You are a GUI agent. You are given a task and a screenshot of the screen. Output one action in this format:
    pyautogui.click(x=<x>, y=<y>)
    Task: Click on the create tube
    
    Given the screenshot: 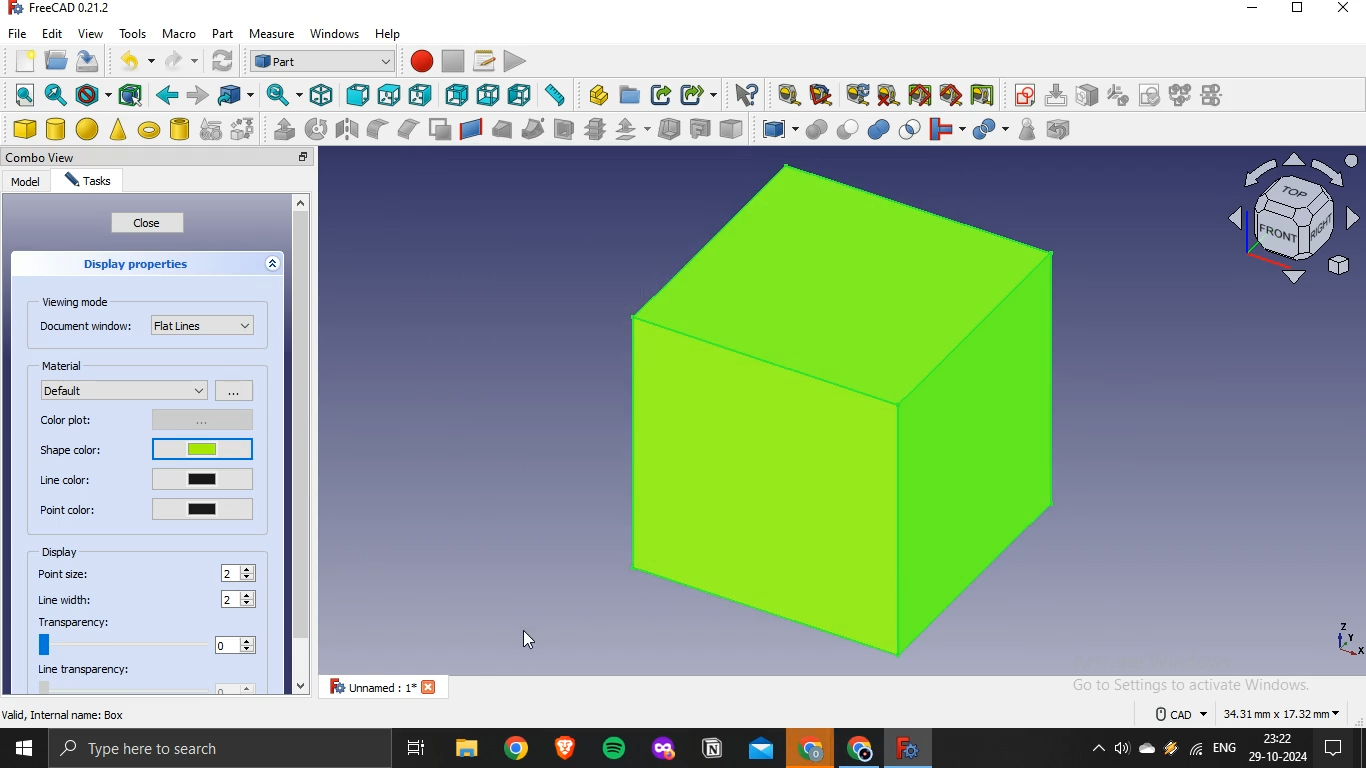 What is the action you would take?
    pyautogui.click(x=179, y=129)
    